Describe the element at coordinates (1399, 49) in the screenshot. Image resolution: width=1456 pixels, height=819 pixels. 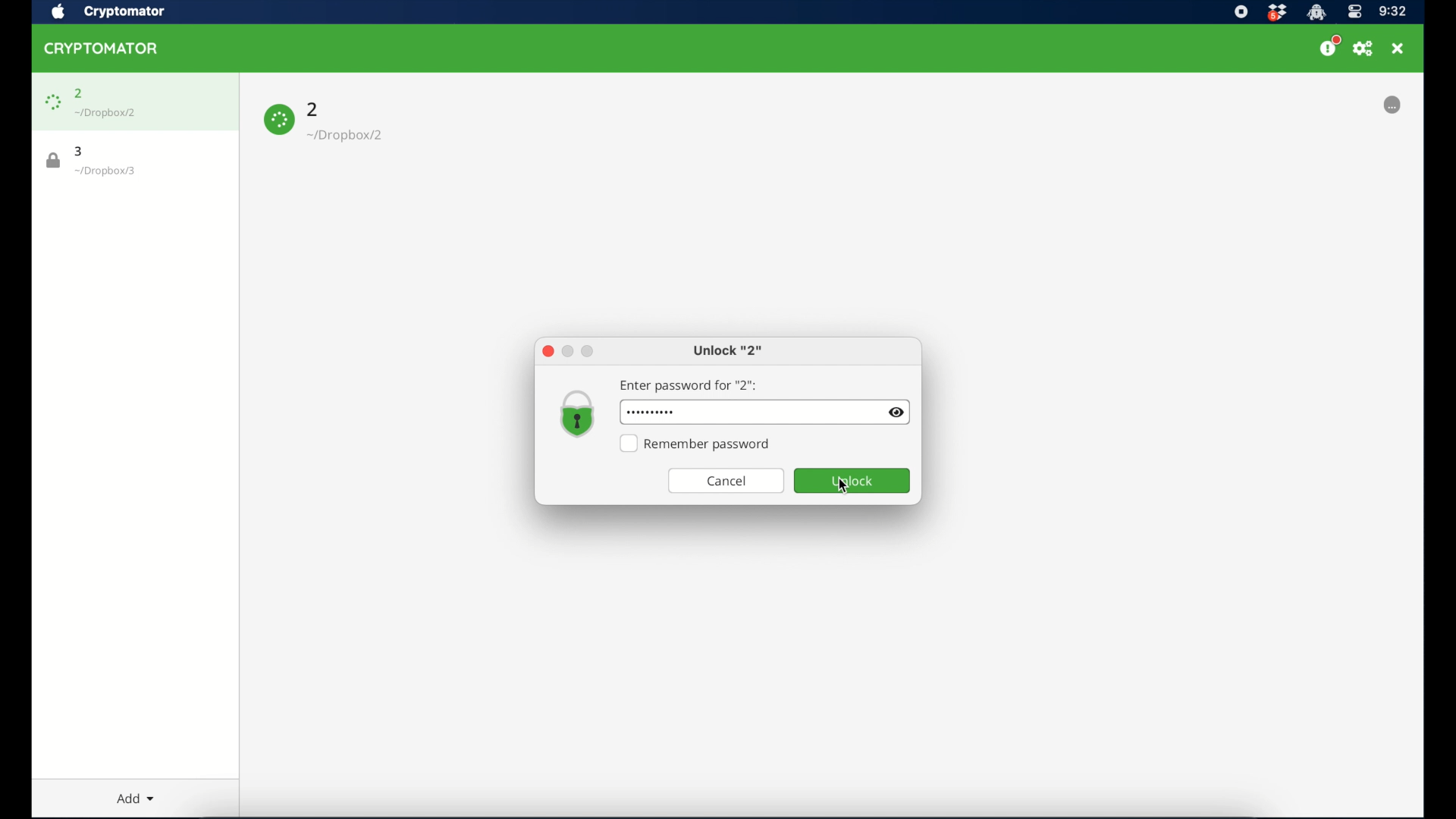
I see `close` at that location.